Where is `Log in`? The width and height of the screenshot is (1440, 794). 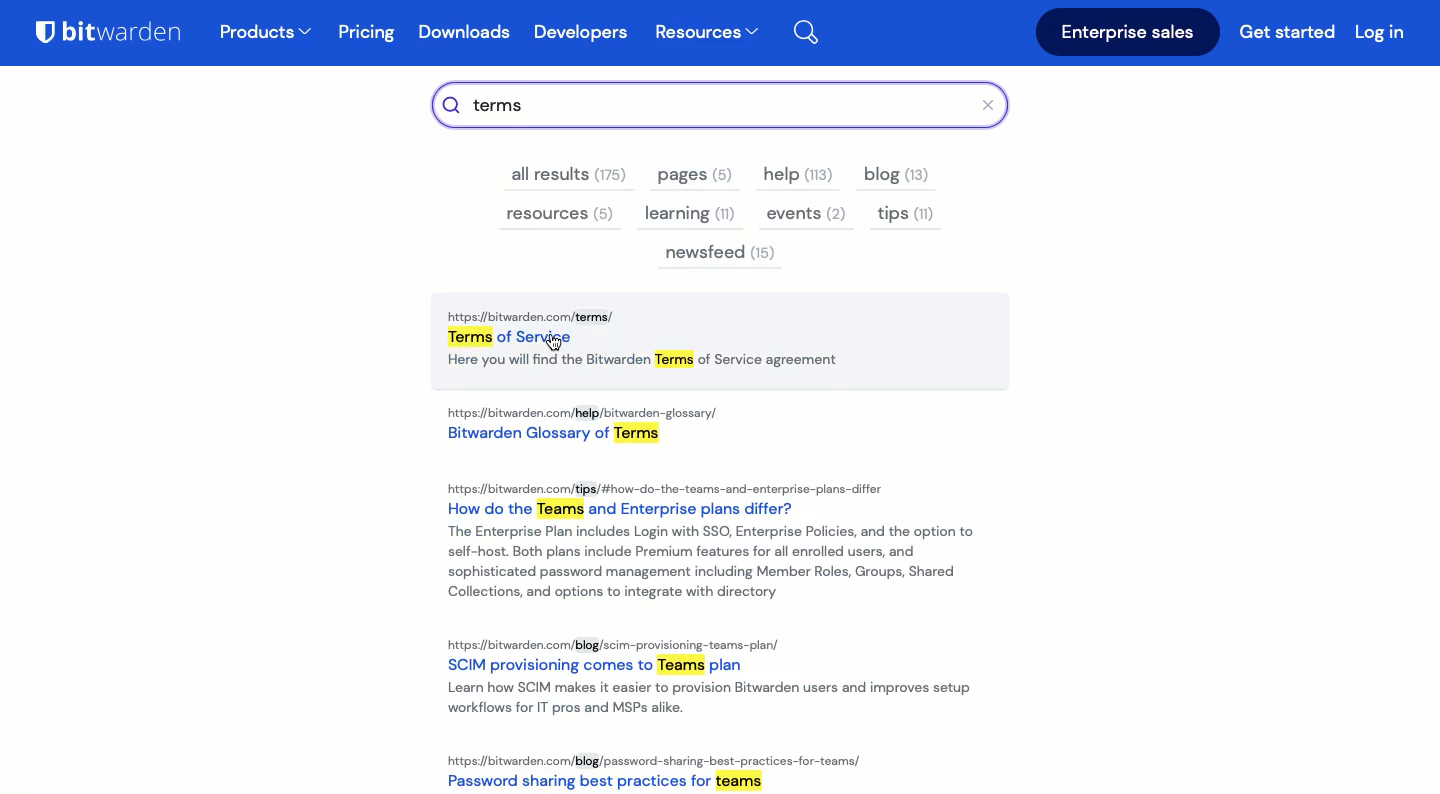 Log in is located at coordinates (1380, 31).